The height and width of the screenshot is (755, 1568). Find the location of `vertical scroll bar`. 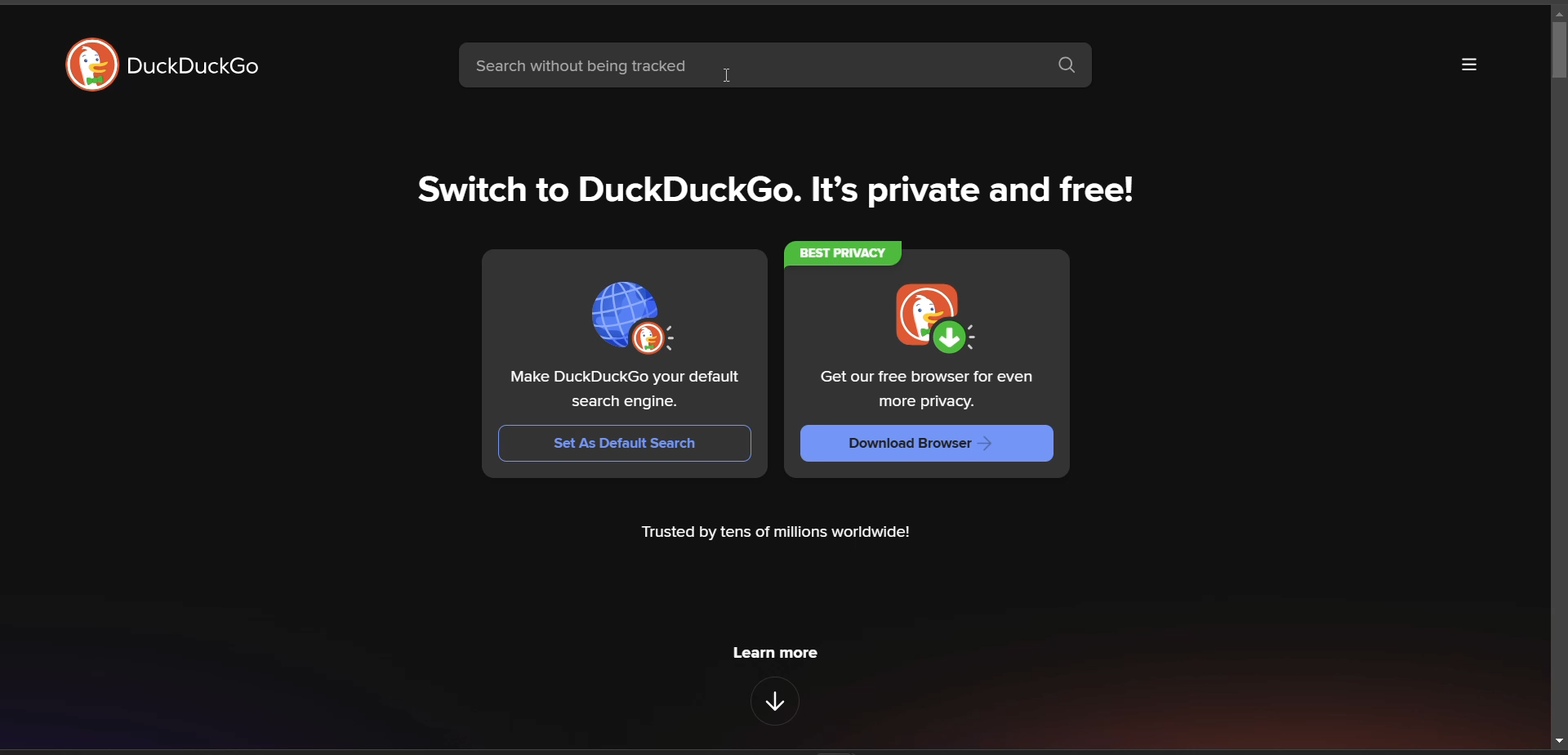

vertical scroll bar is located at coordinates (1558, 377).